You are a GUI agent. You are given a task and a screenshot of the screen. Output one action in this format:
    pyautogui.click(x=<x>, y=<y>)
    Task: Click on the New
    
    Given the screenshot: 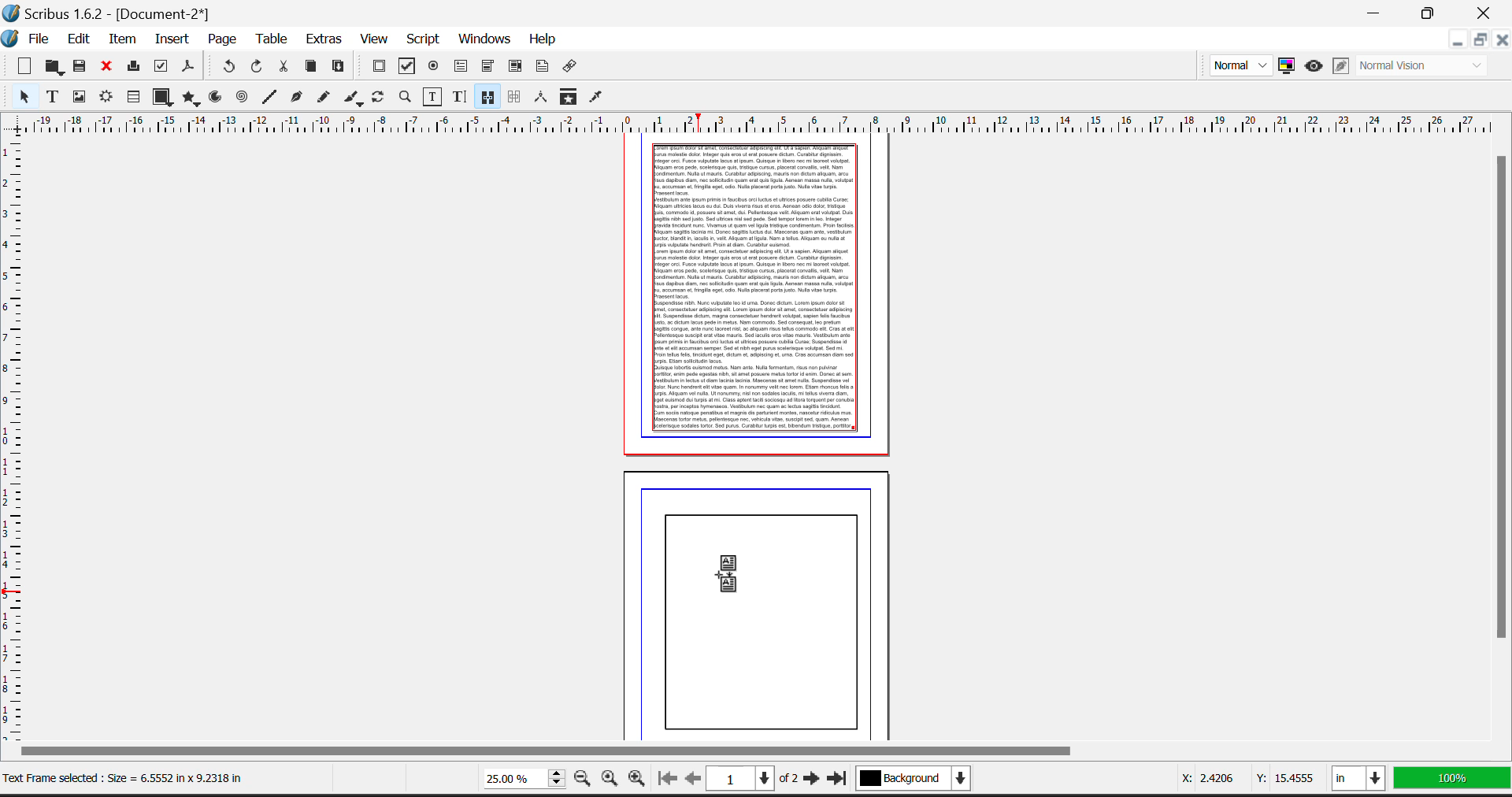 What is the action you would take?
    pyautogui.click(x=20, y=67)
    